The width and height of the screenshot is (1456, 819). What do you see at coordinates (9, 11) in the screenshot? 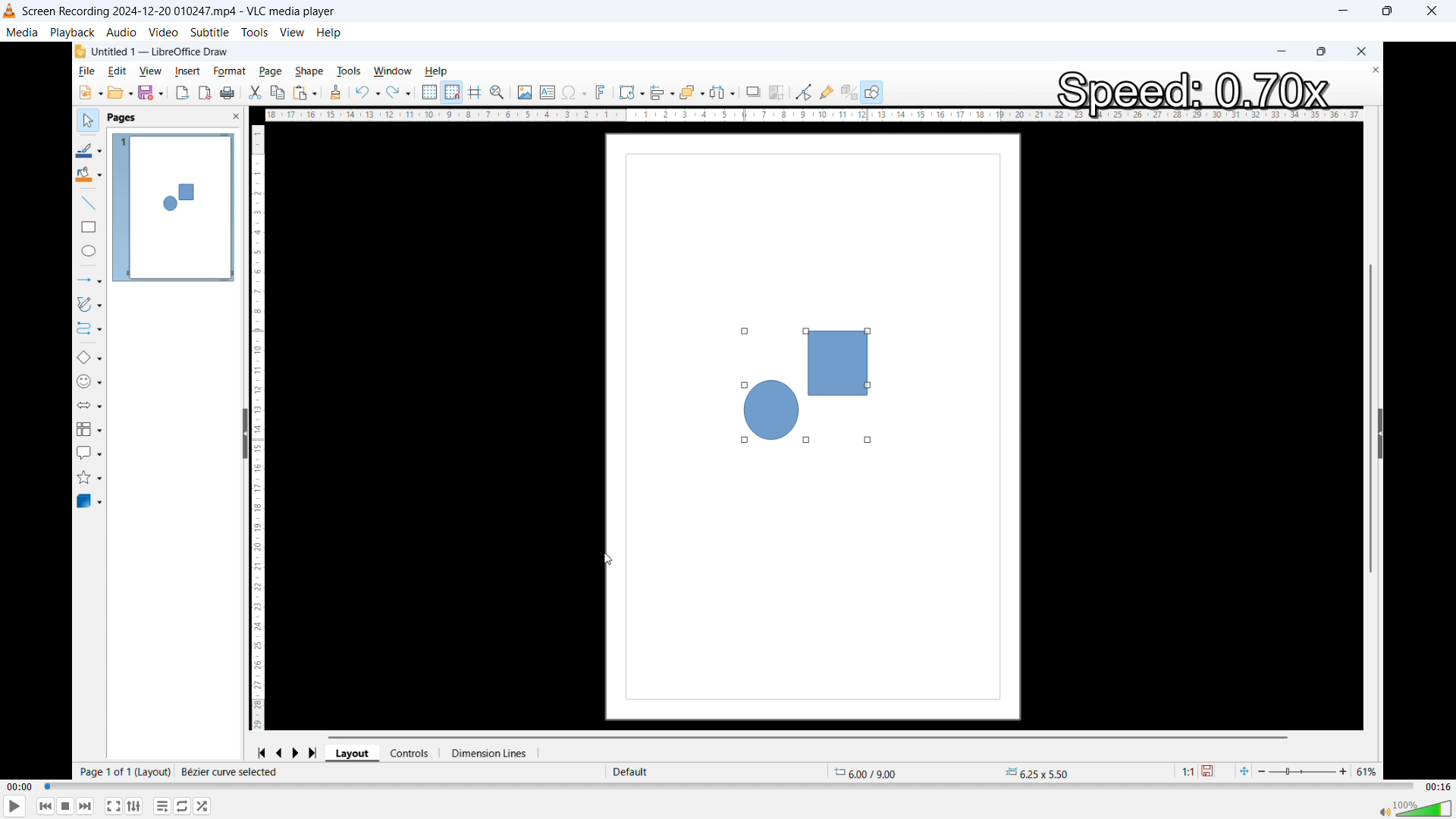
I see `Logo ` at bounding box center [9, 11].